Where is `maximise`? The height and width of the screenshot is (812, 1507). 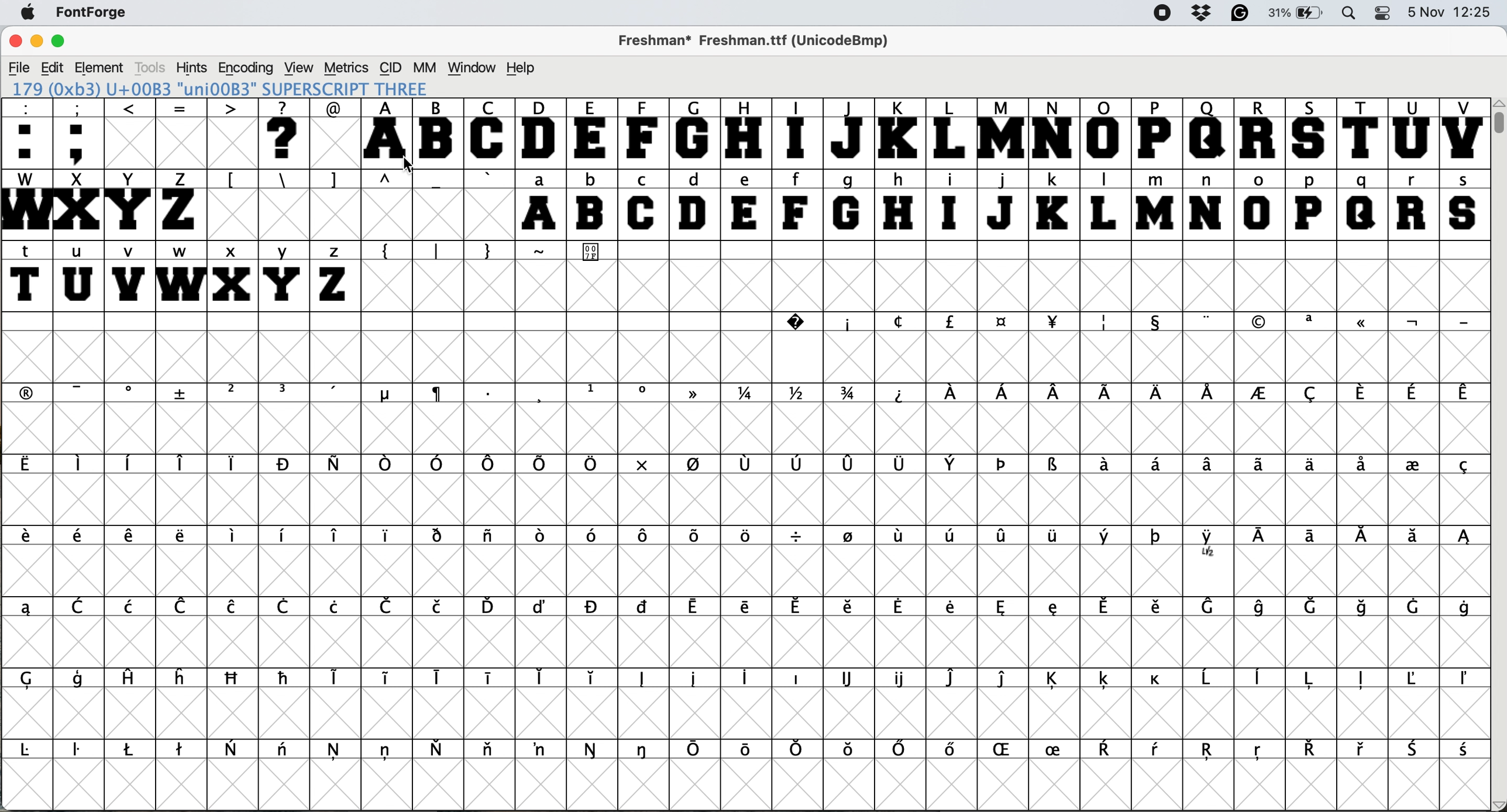 maximise is located at coordinates (61, 40).